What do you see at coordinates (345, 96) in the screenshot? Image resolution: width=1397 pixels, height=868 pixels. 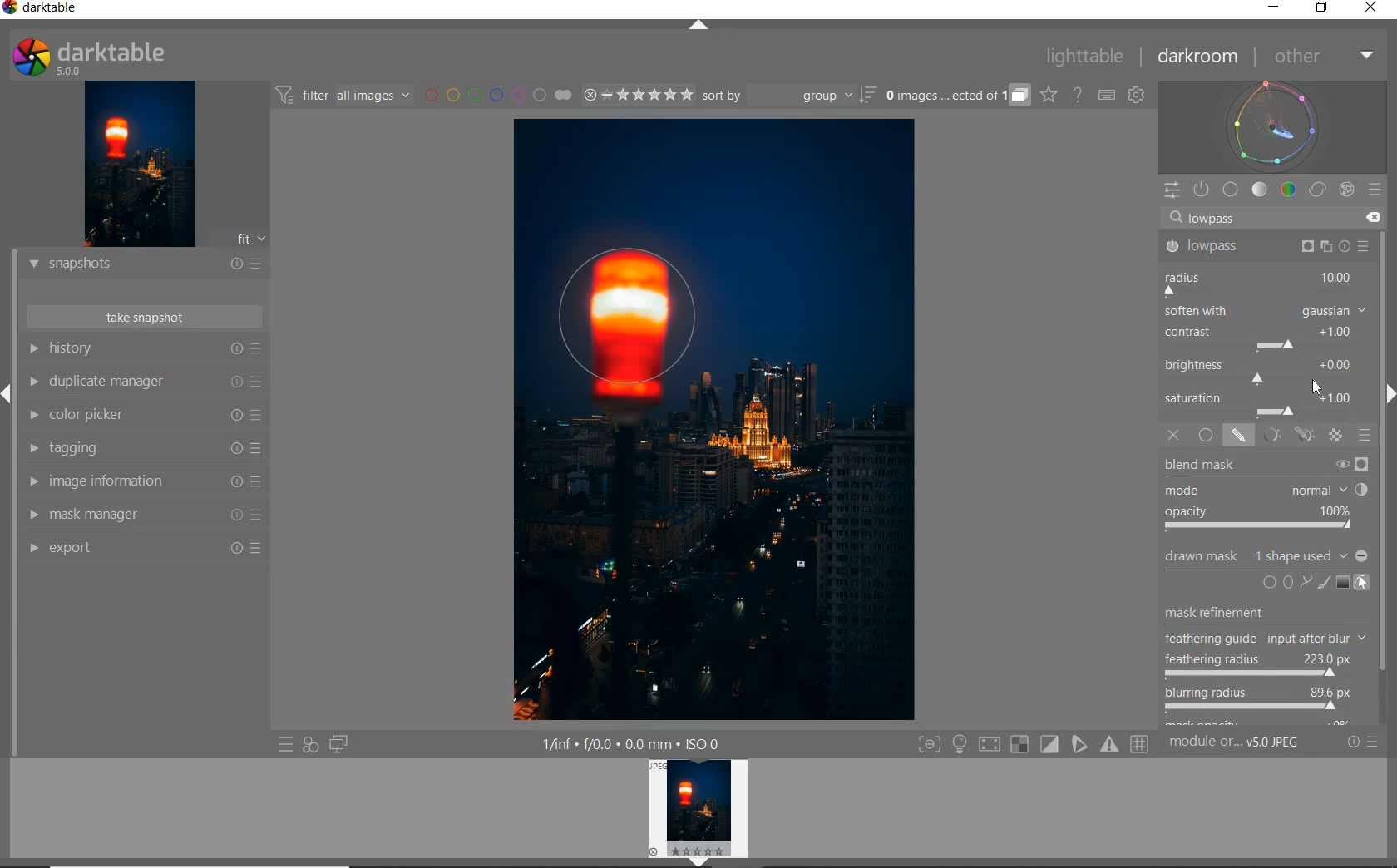 I see `FILTER IMAGES BASED ON THEIR MODULE ORDER` at bounding box center [345, 96].